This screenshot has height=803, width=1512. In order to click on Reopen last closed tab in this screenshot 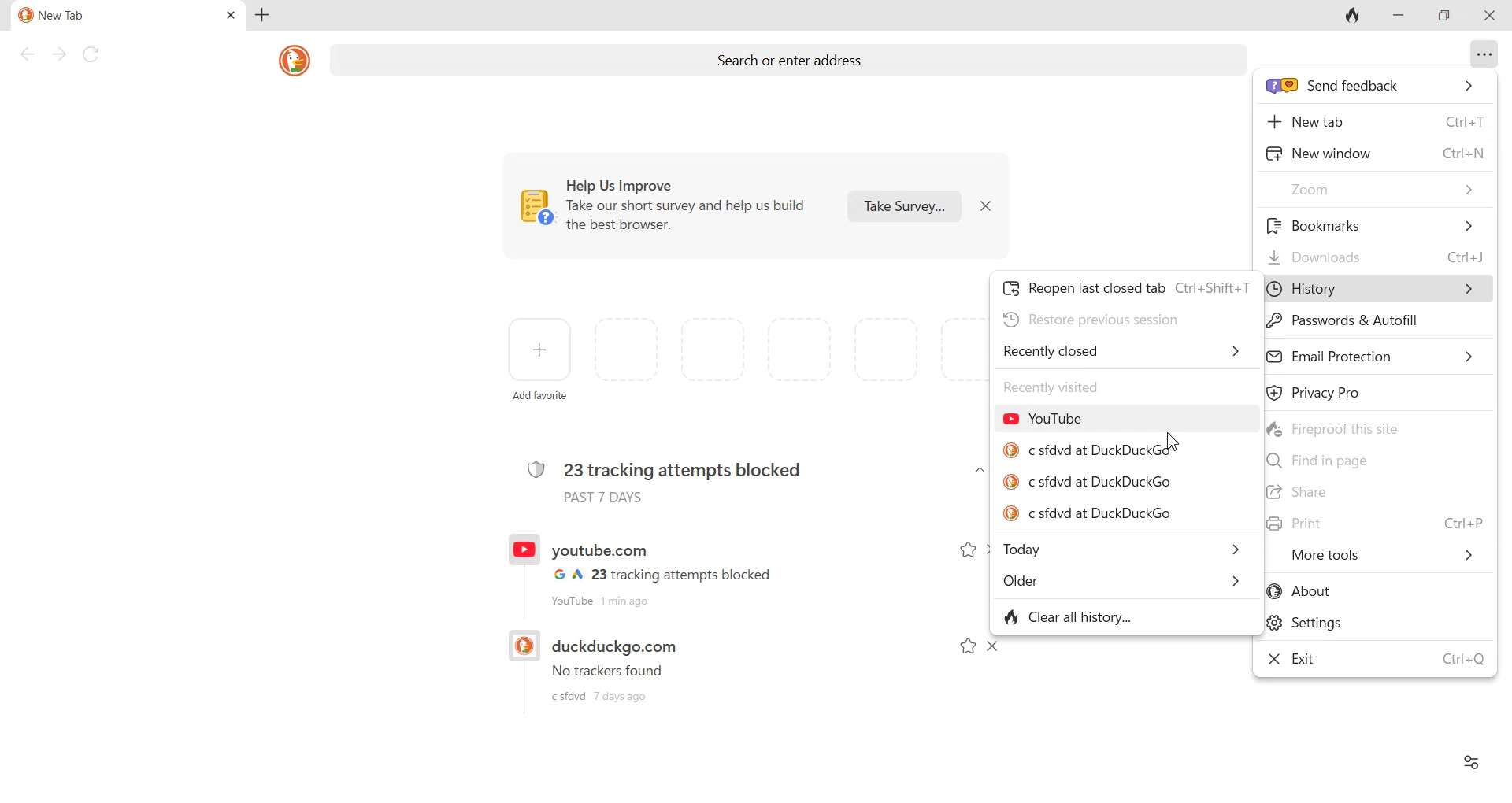, I will do `click(1108, 287)`.